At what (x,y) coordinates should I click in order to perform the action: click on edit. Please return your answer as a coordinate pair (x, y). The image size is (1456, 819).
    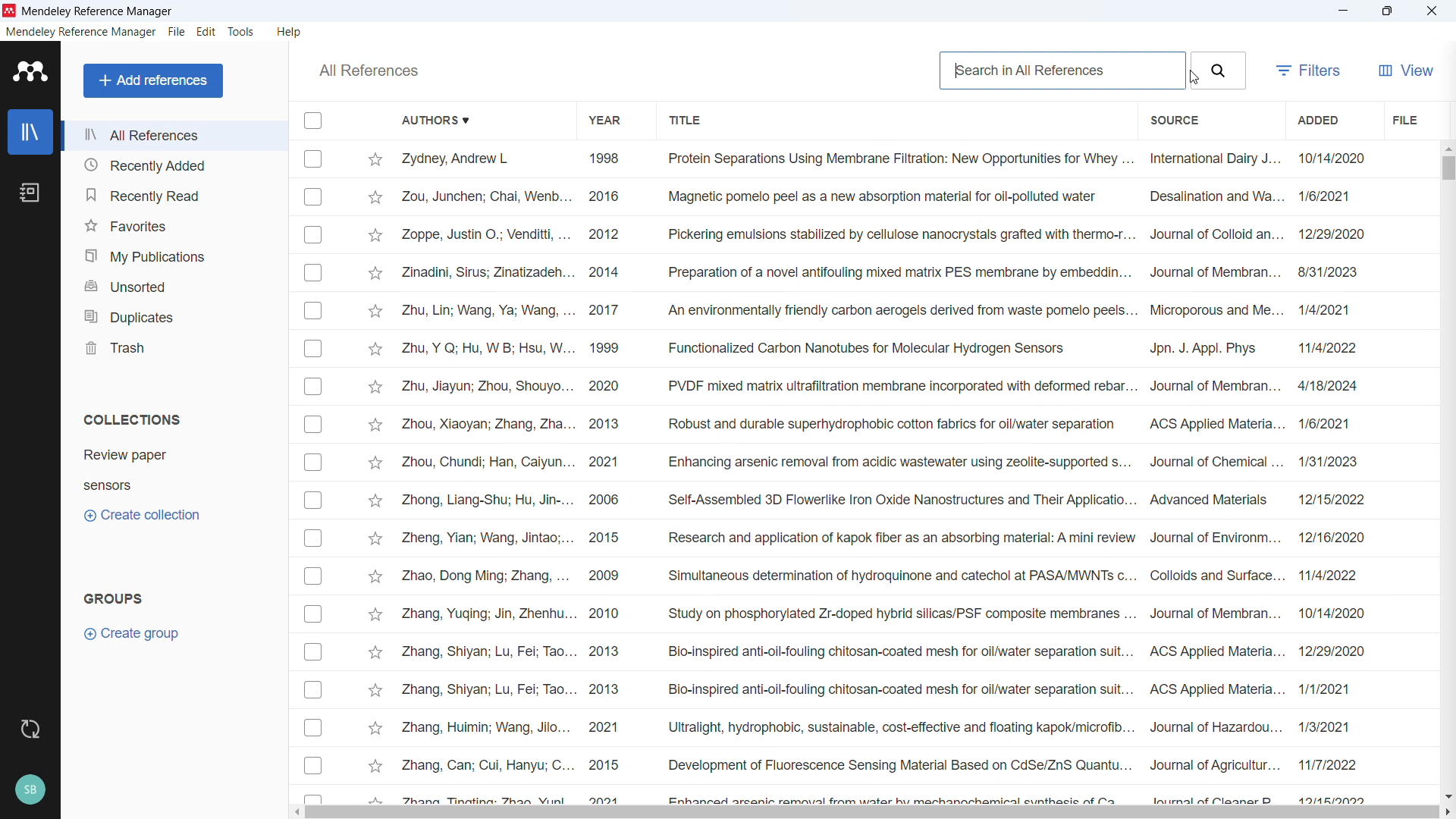
    Looking at the image, I should click on (206, 31).